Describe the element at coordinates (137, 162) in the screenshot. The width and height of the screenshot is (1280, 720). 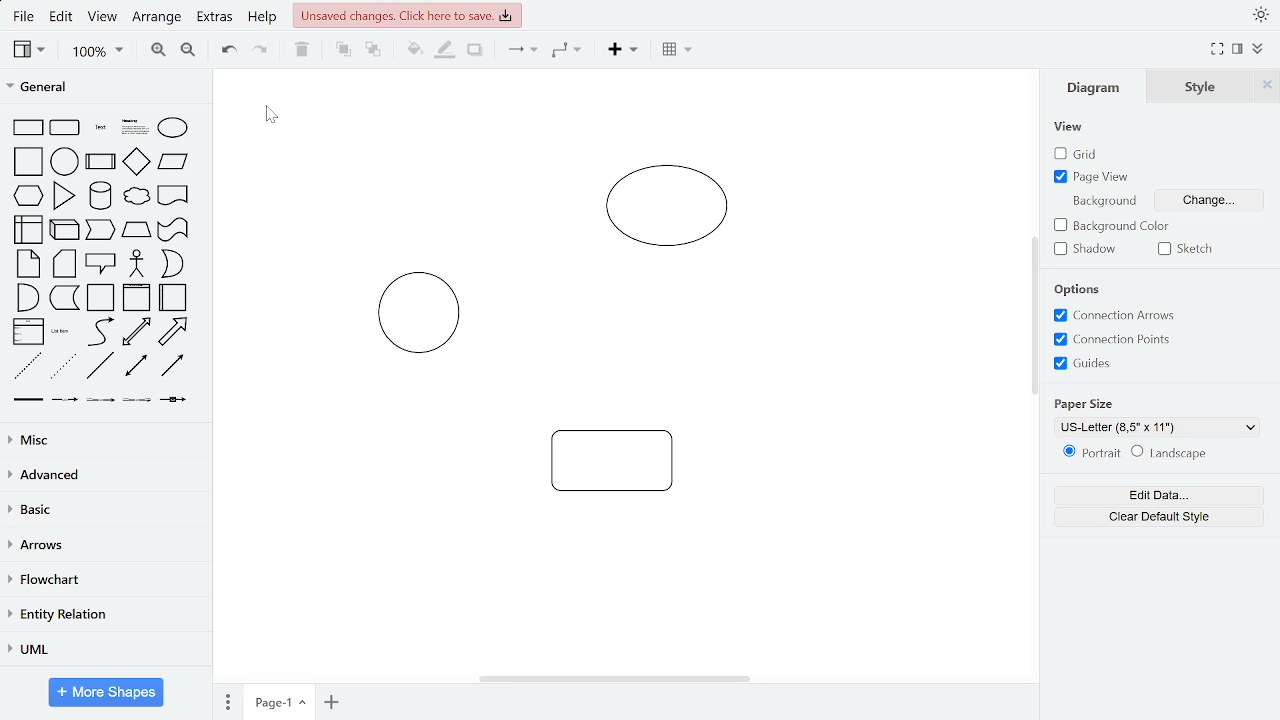
I see `diamond` at that location.